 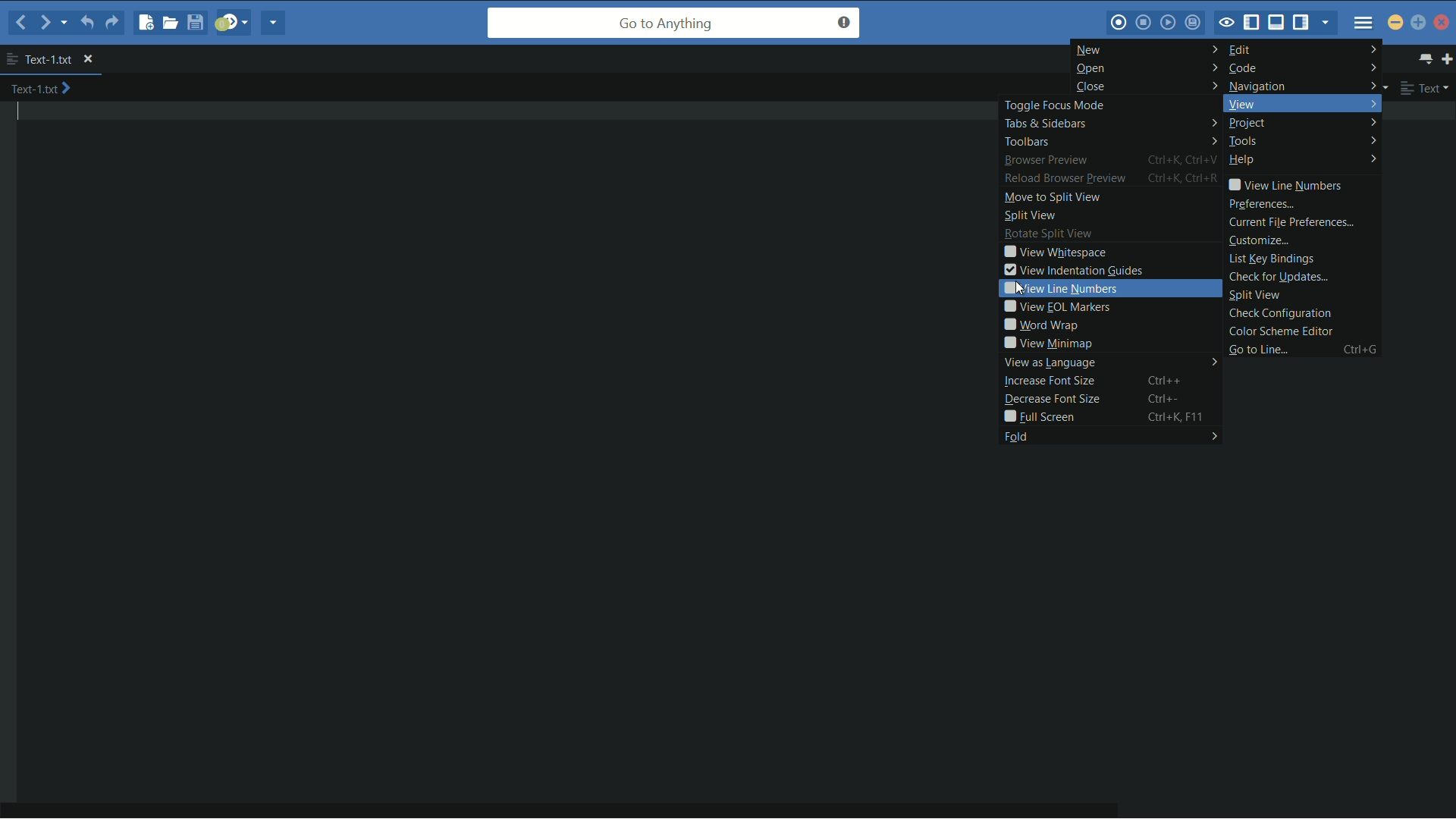 I want to click on code, so click(x=1304, y=67).